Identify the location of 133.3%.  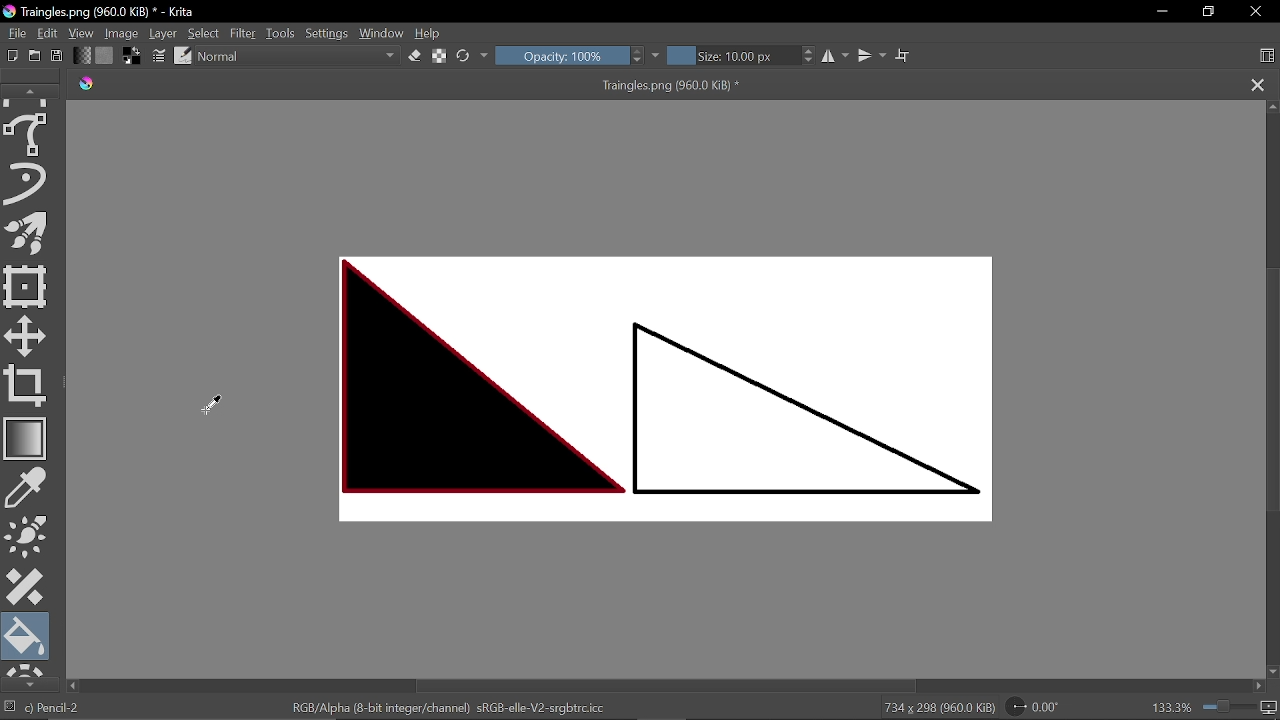
(1170, 709).